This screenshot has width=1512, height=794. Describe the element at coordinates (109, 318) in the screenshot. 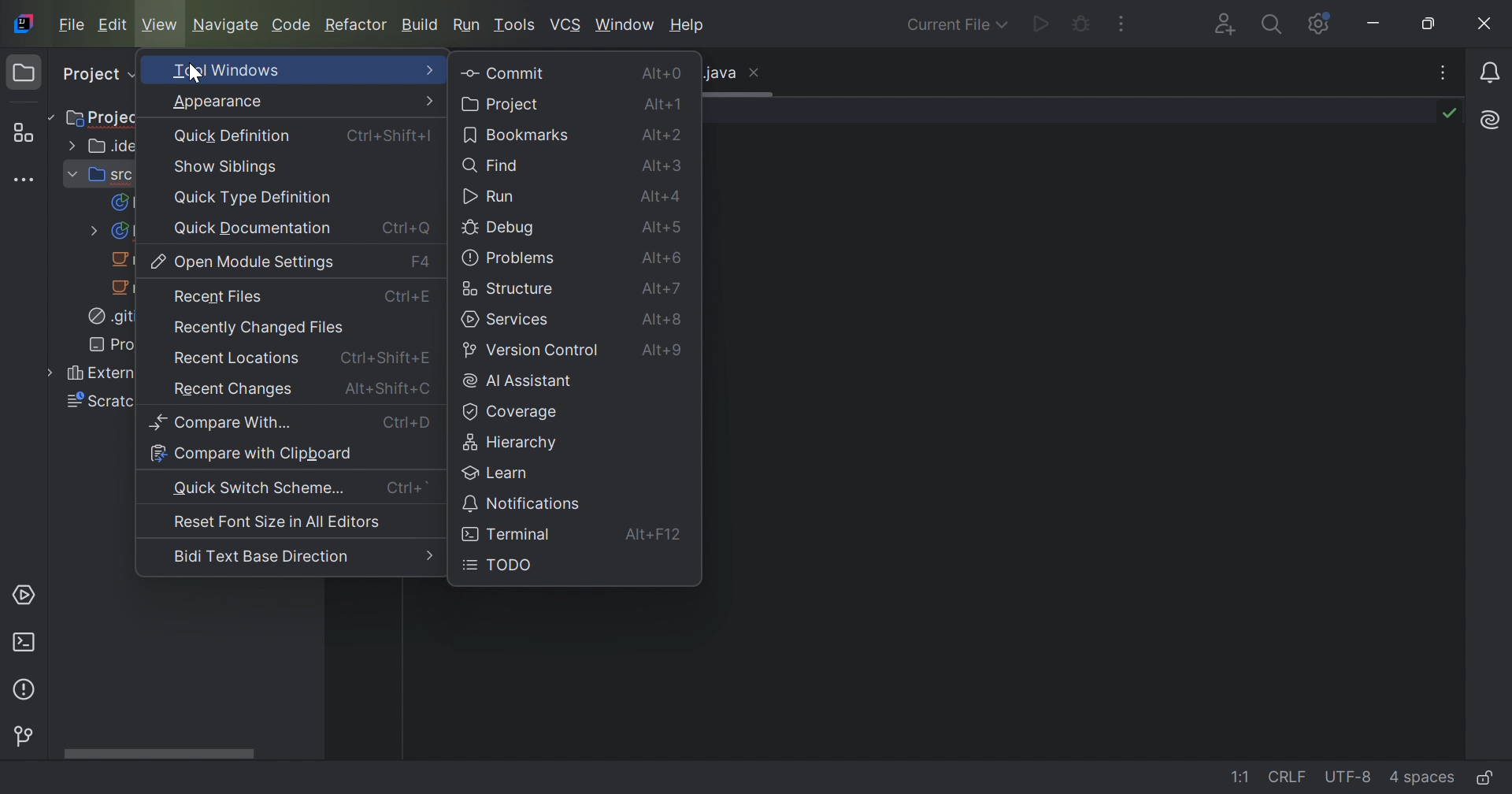

I see `.gitignore` at that location.